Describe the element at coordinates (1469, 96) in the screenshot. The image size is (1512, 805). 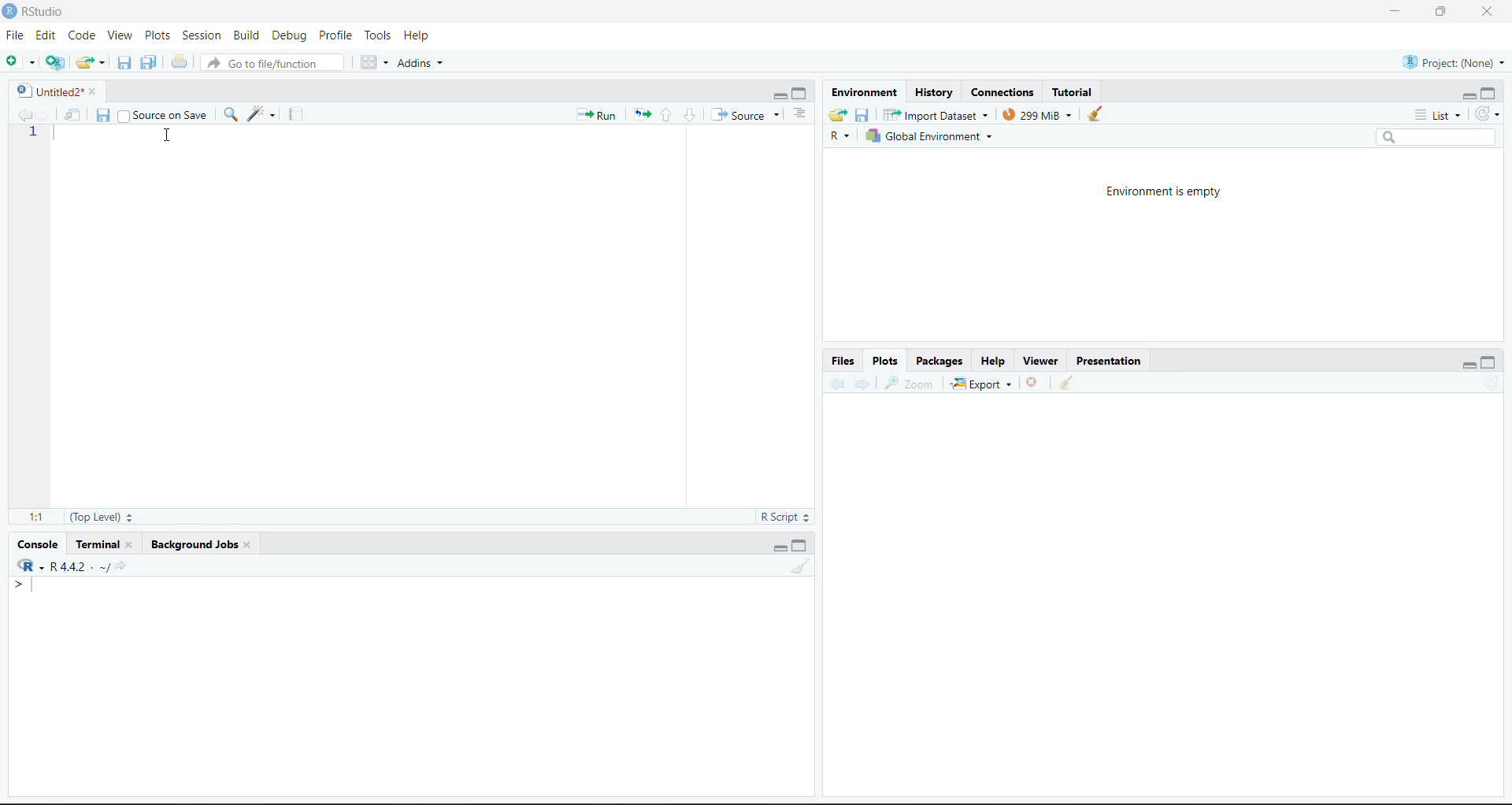
I see `minimize` at that location.